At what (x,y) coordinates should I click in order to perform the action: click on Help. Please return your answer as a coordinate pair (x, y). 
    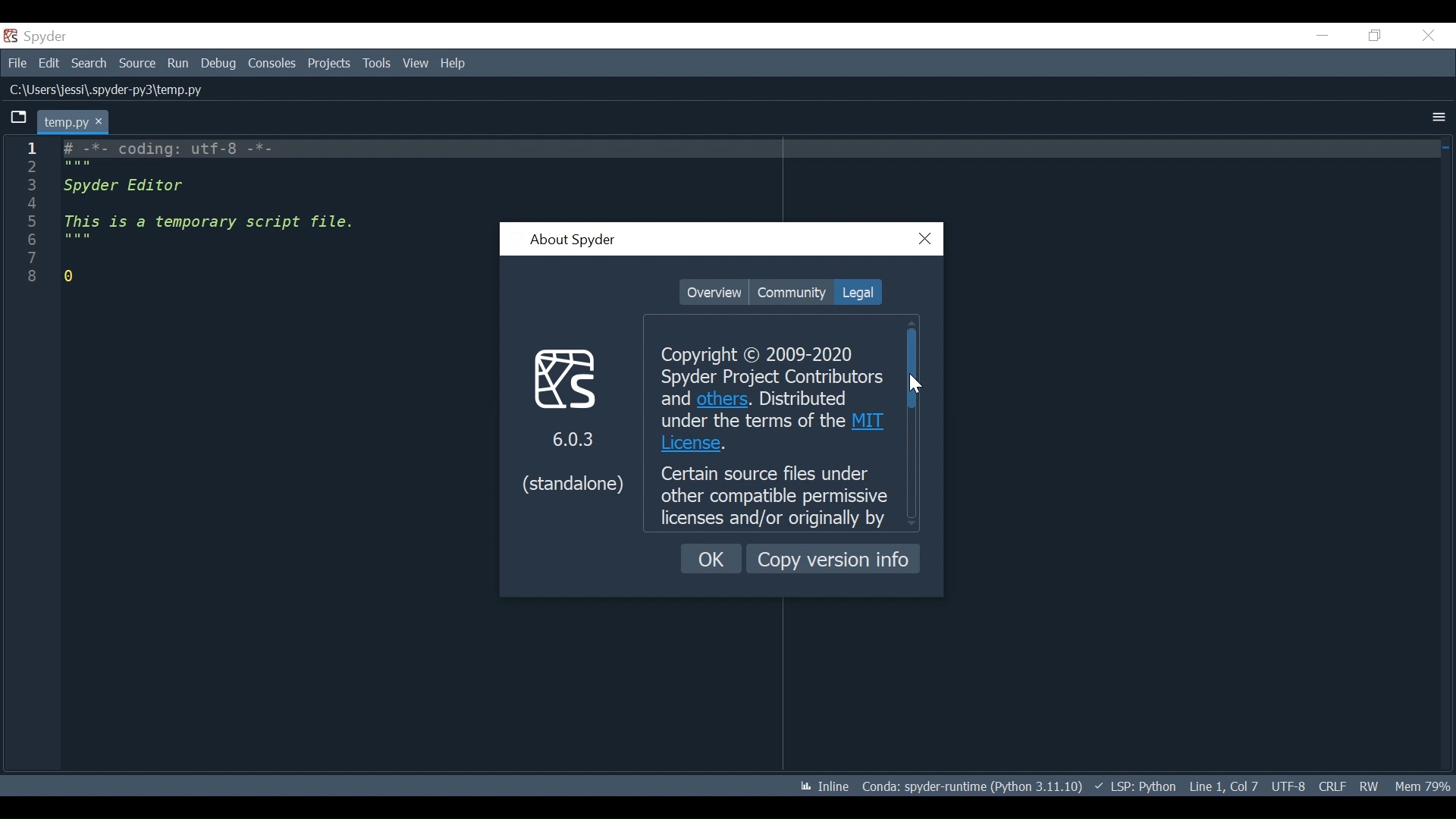
    Looking at the image, I should click on (454, 64).